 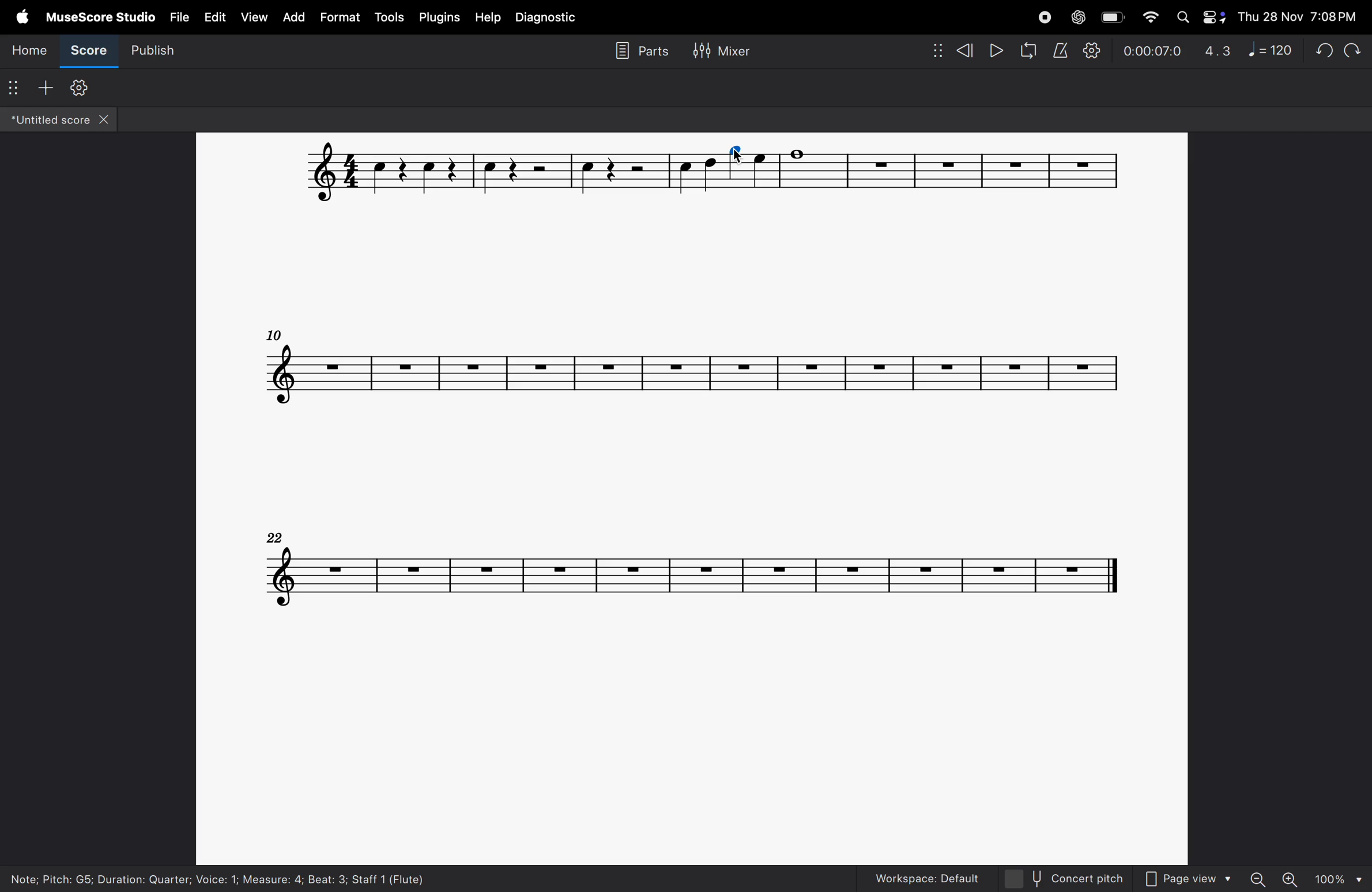 I want to click on Note; Pitch: G5; Duration: Quarter; Voice: 1; Measure: 4; Beat: 3; Staff 1 (Flute), so click(x=218, y=878).